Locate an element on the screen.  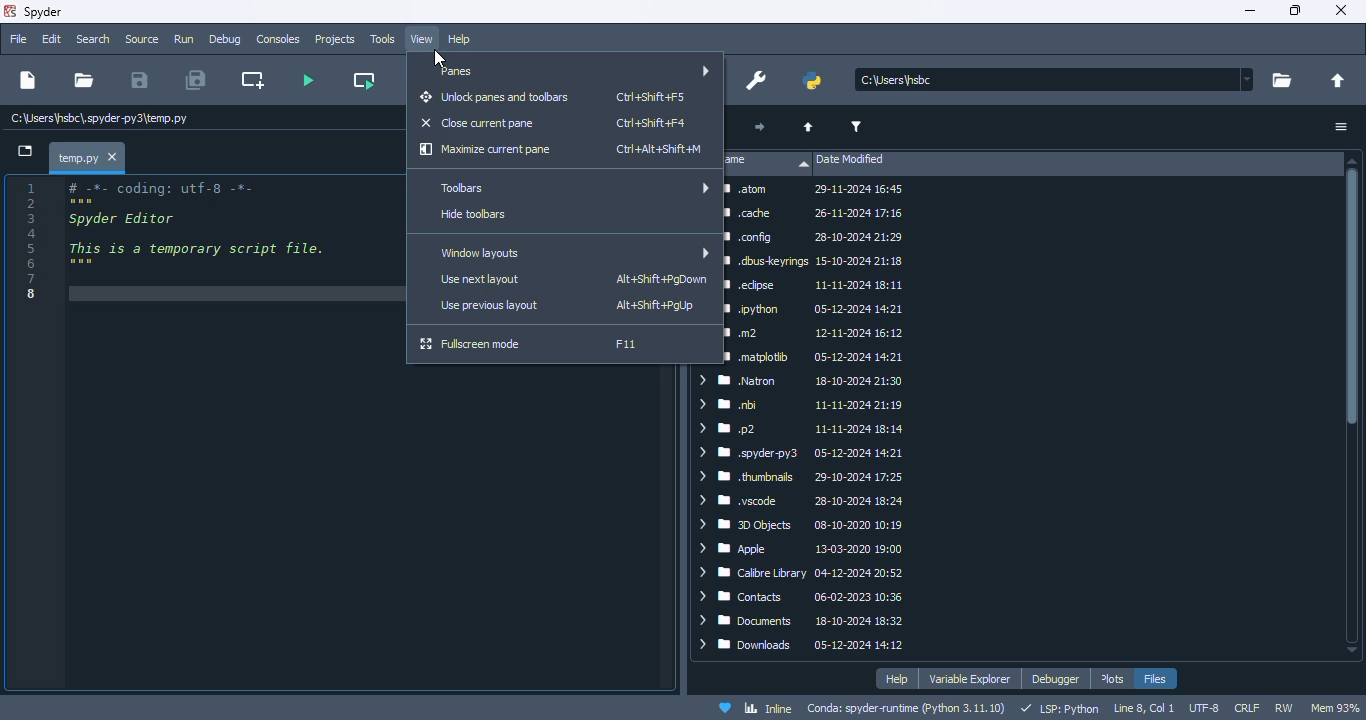
open file is located at coordinates (83, 79).